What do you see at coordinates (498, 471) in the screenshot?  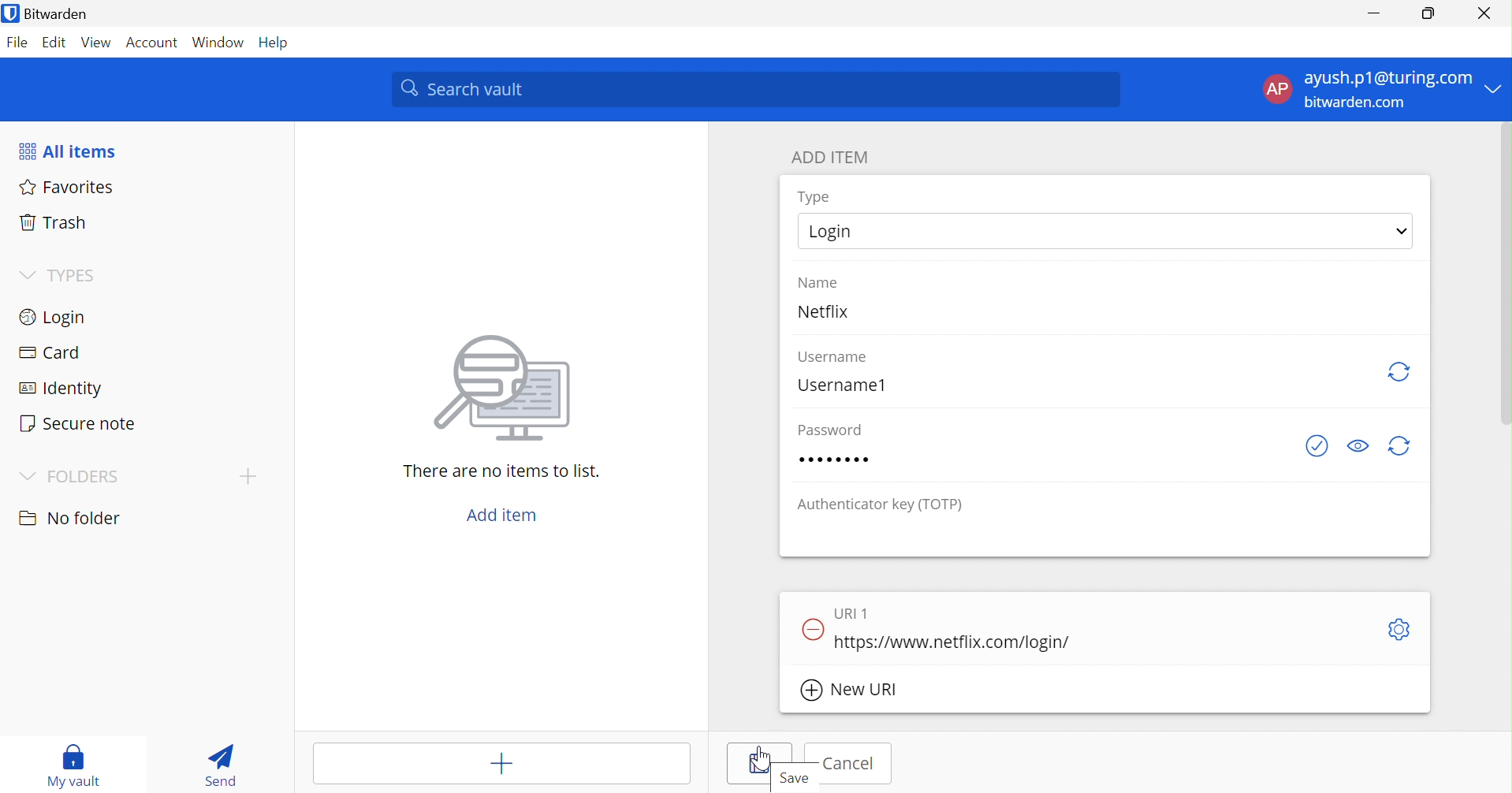 I see `There are no items to list.` at bounding box center [498, 471].